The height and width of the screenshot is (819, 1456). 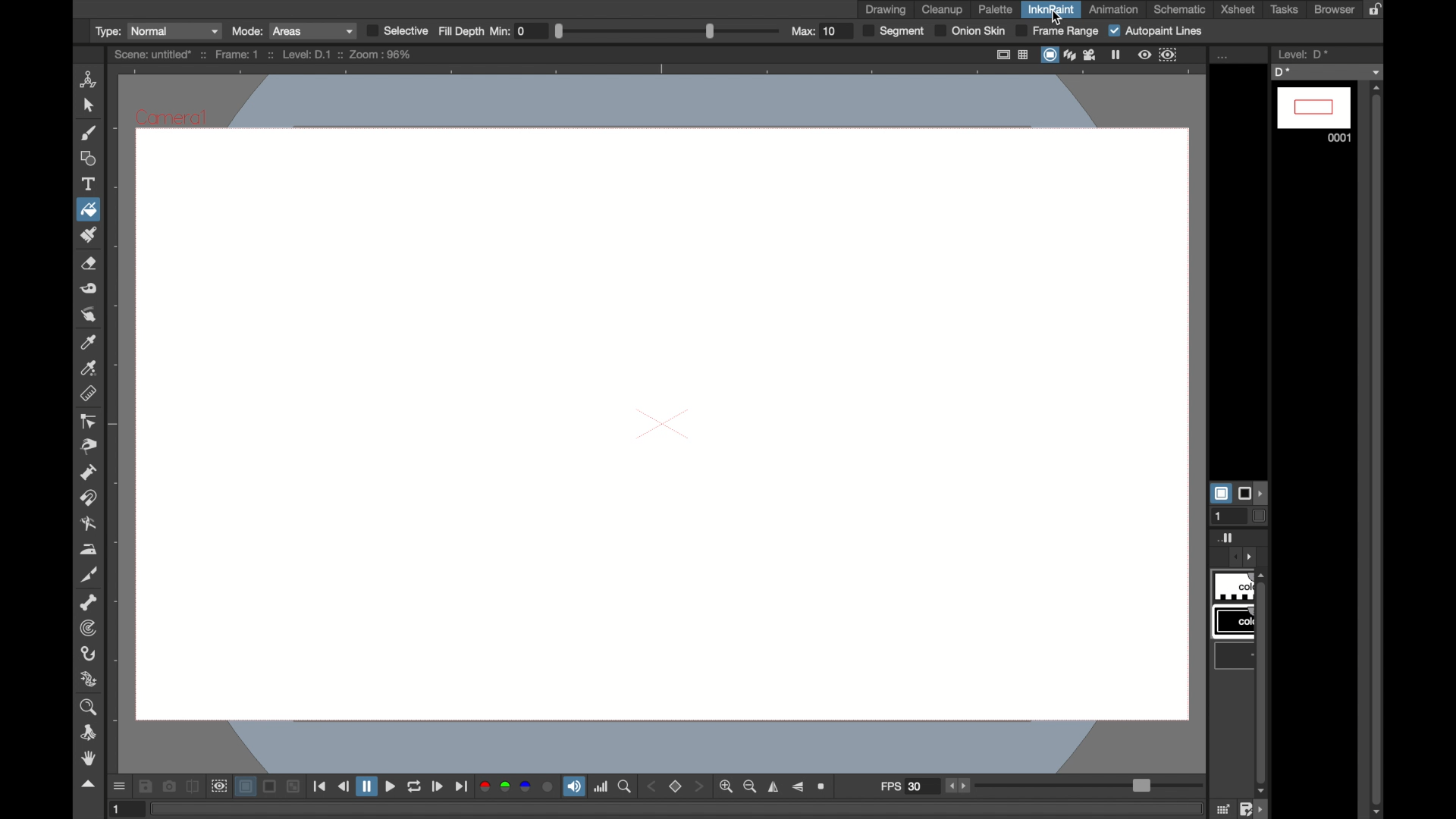 I want to click on control point editor tool, so click(x=87, y=421).